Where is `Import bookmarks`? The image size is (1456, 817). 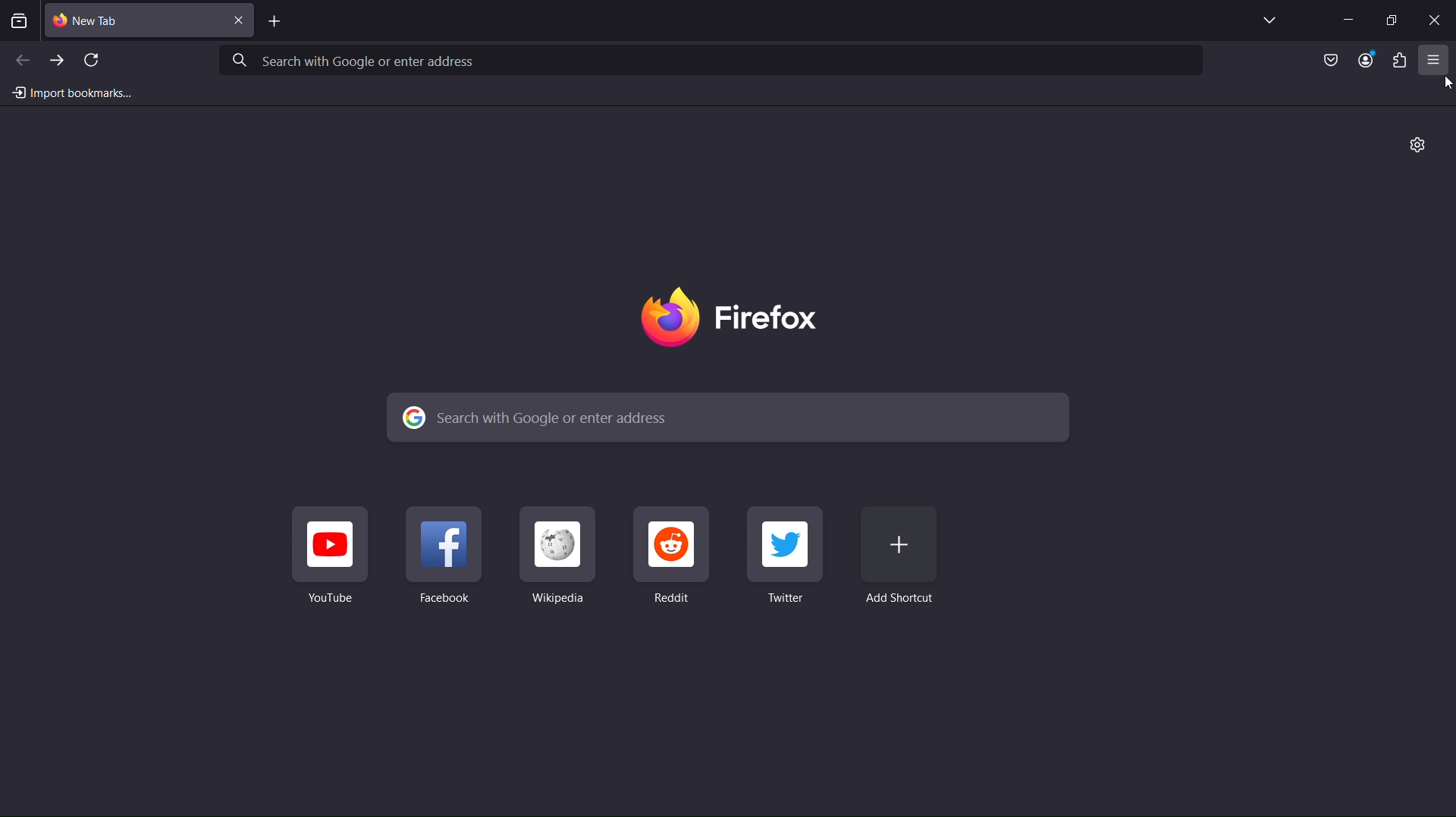 Import bookmarks is located at coordinates (72, 94).